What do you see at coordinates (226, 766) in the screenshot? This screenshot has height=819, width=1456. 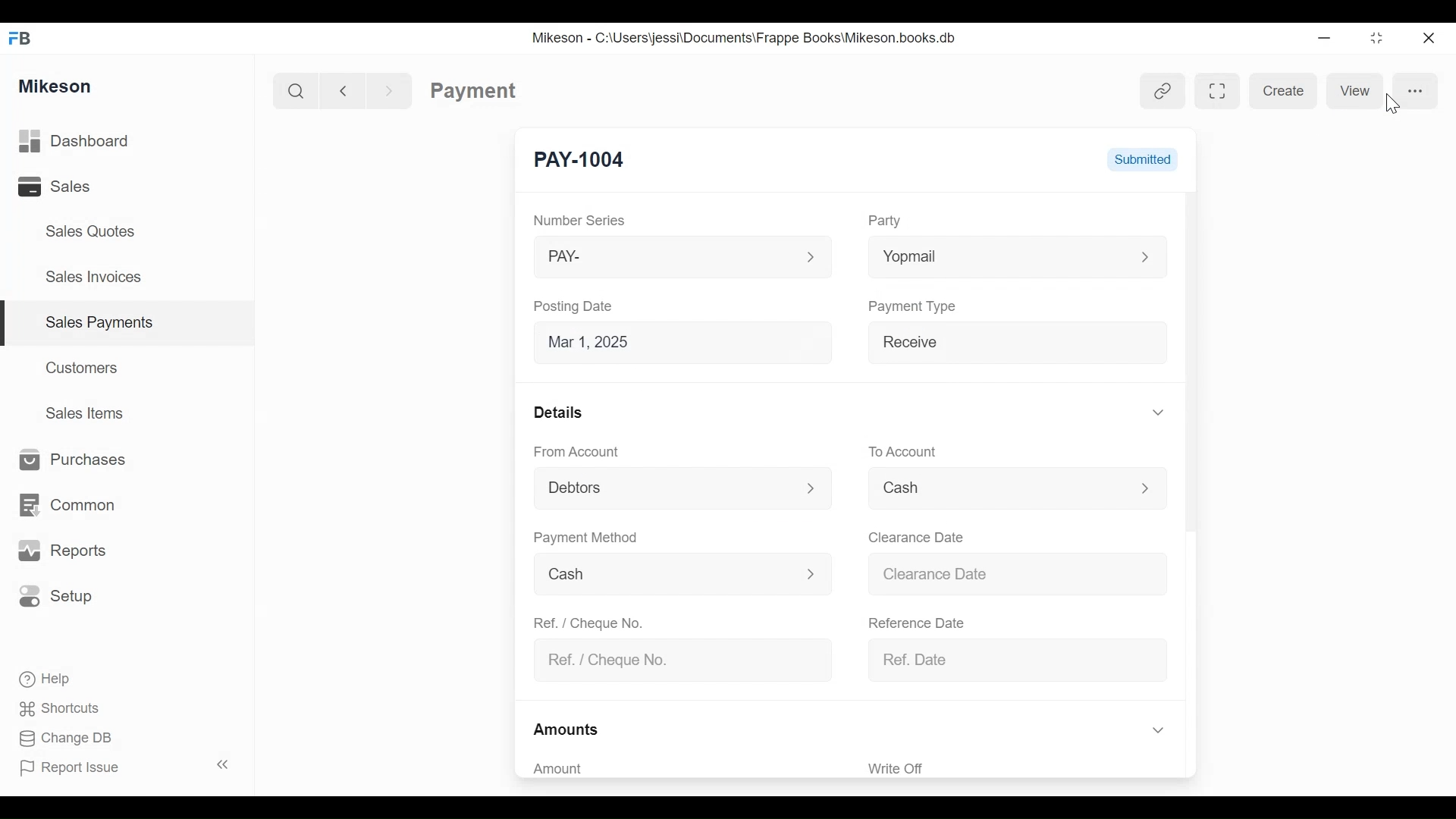 I see `Collapse` at bounding box center [226, 766].